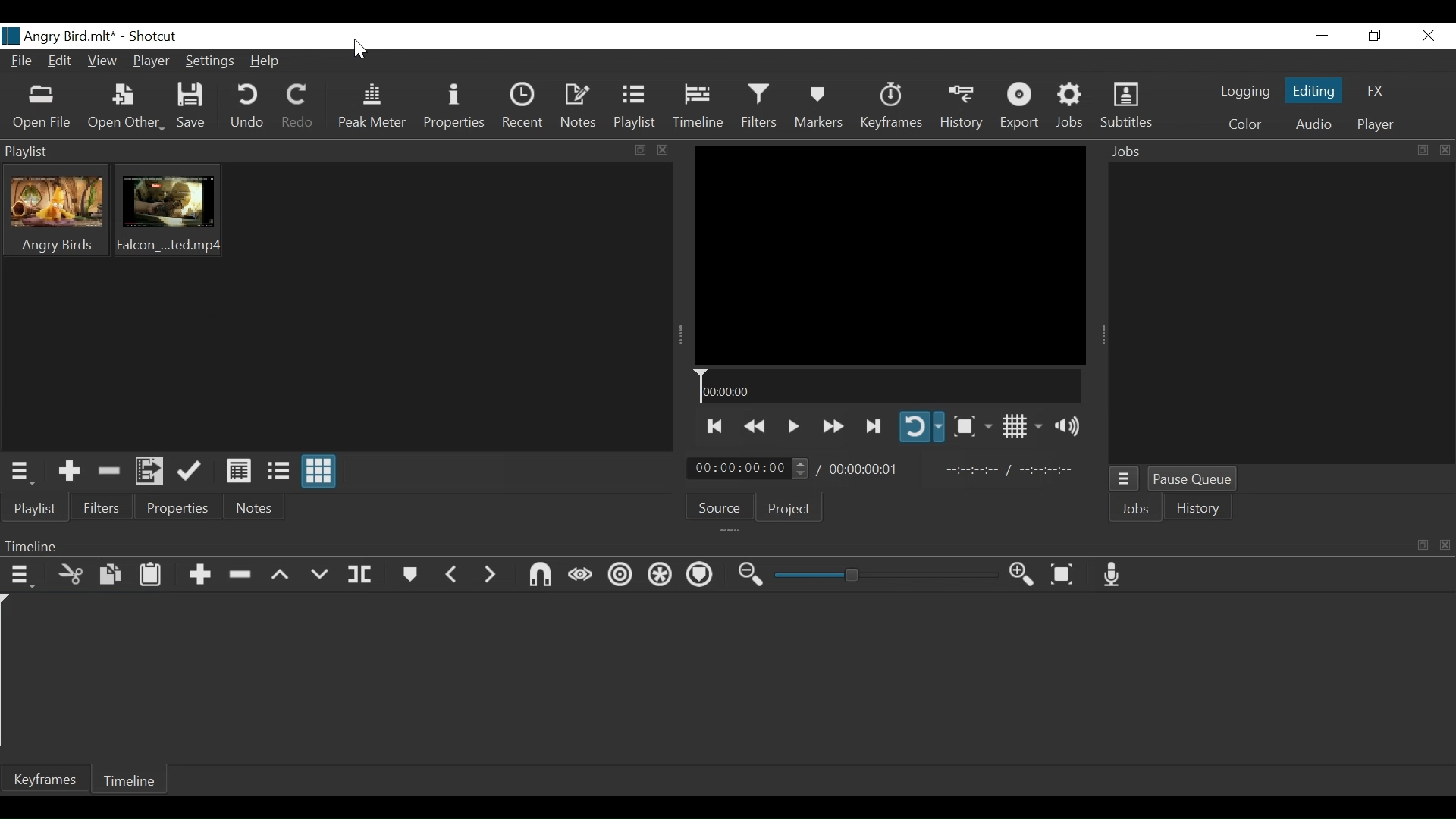 The image size is (1456, 819). I want to click on Jobs, so click(1068, 107).